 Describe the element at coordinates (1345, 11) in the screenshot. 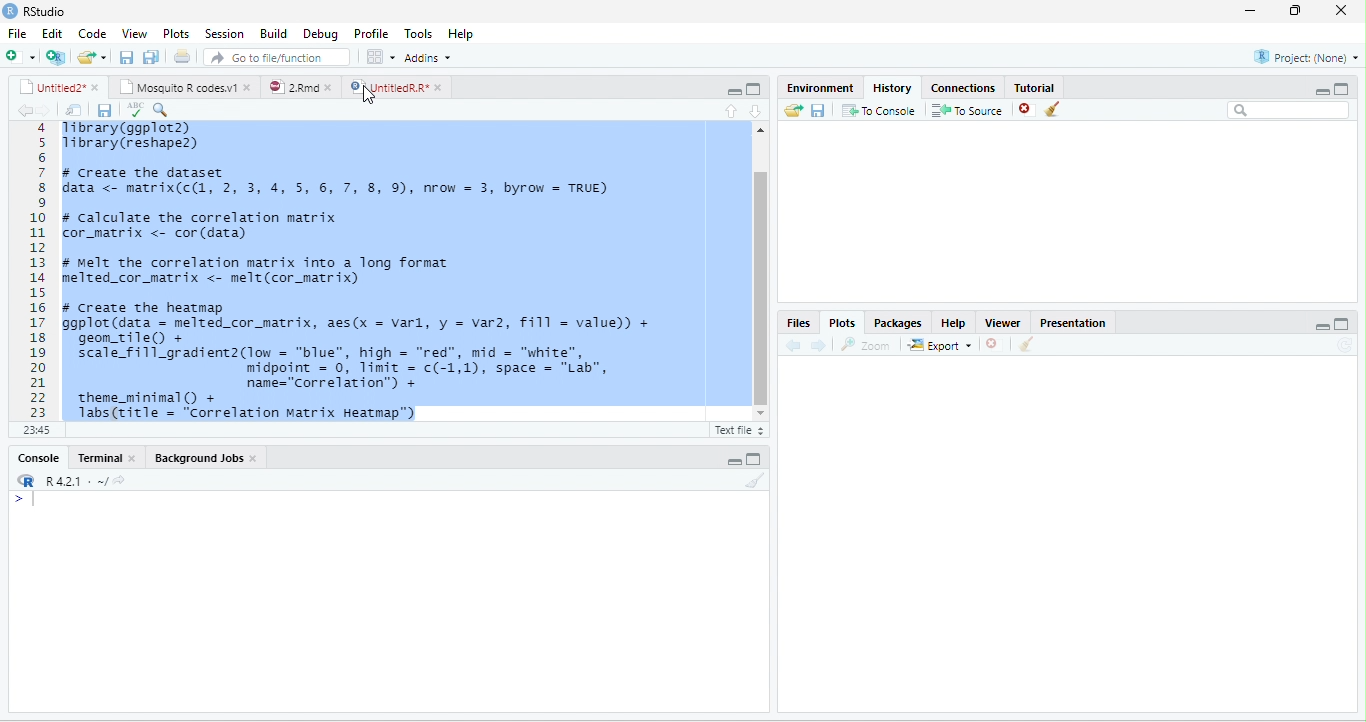

I see `close` at that location.